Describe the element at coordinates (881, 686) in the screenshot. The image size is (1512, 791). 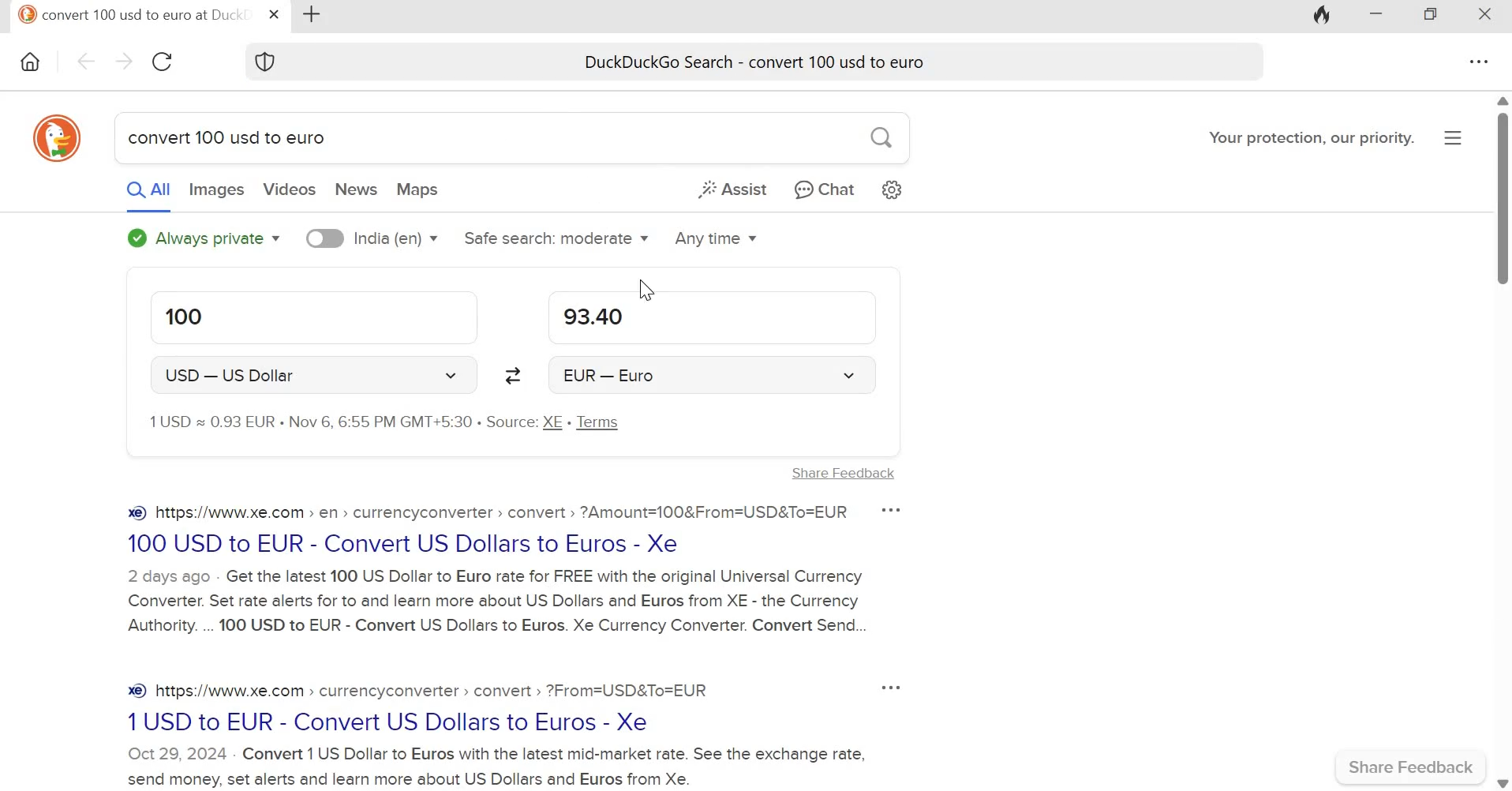
I see `More Options` at that location.